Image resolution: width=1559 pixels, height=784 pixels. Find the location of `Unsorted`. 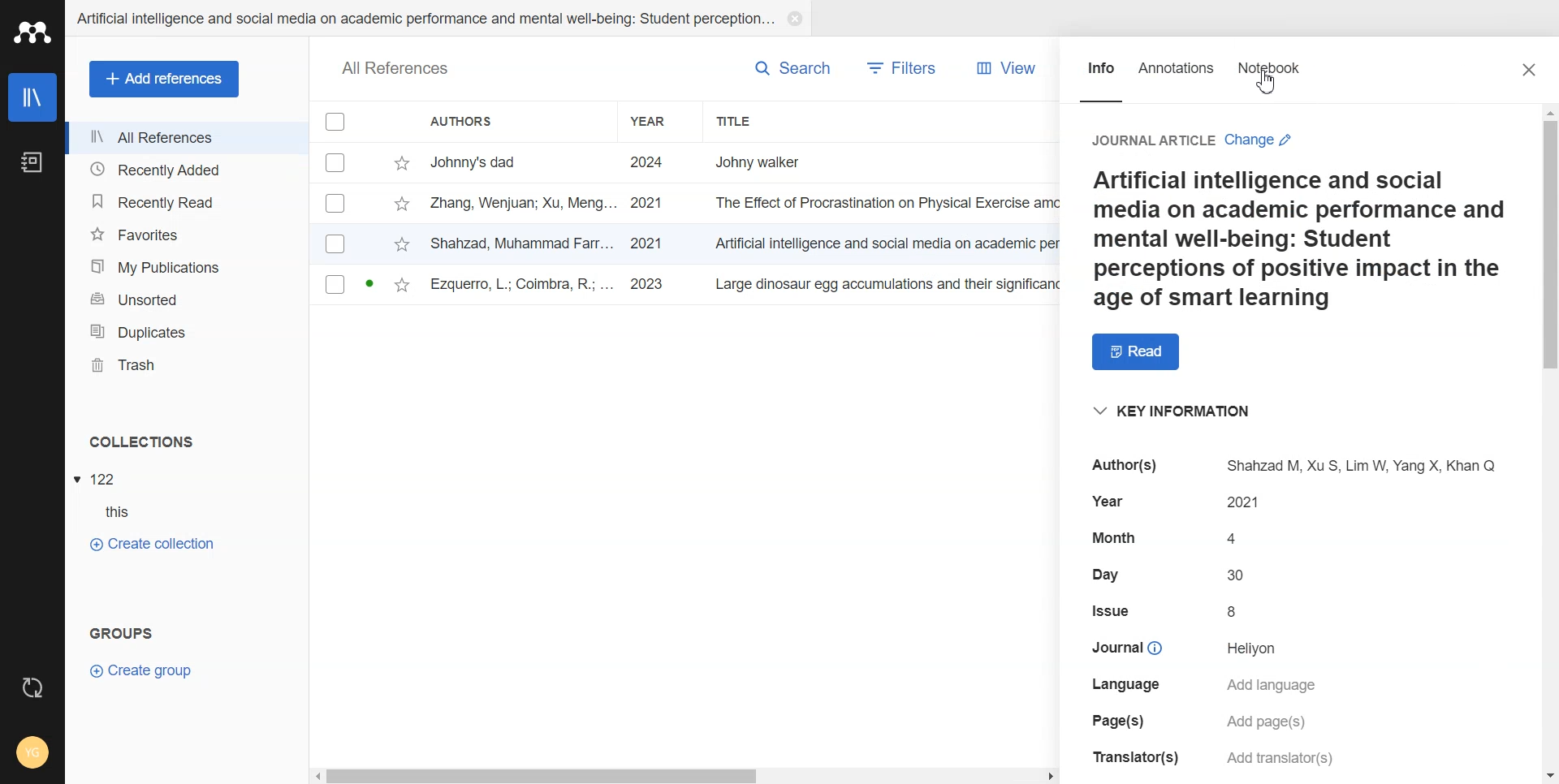

Unsorted is located at coordinates (187, 299).